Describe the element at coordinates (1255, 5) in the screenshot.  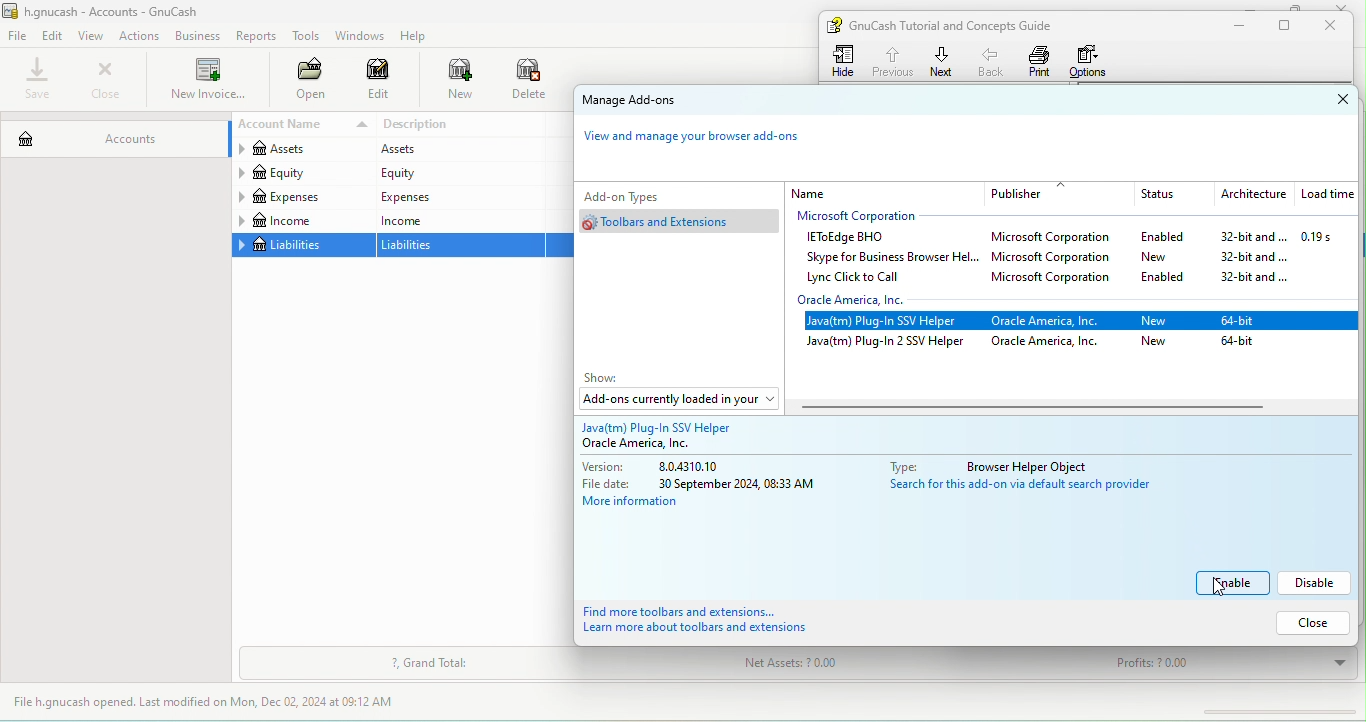
I see `minimize` at that location.